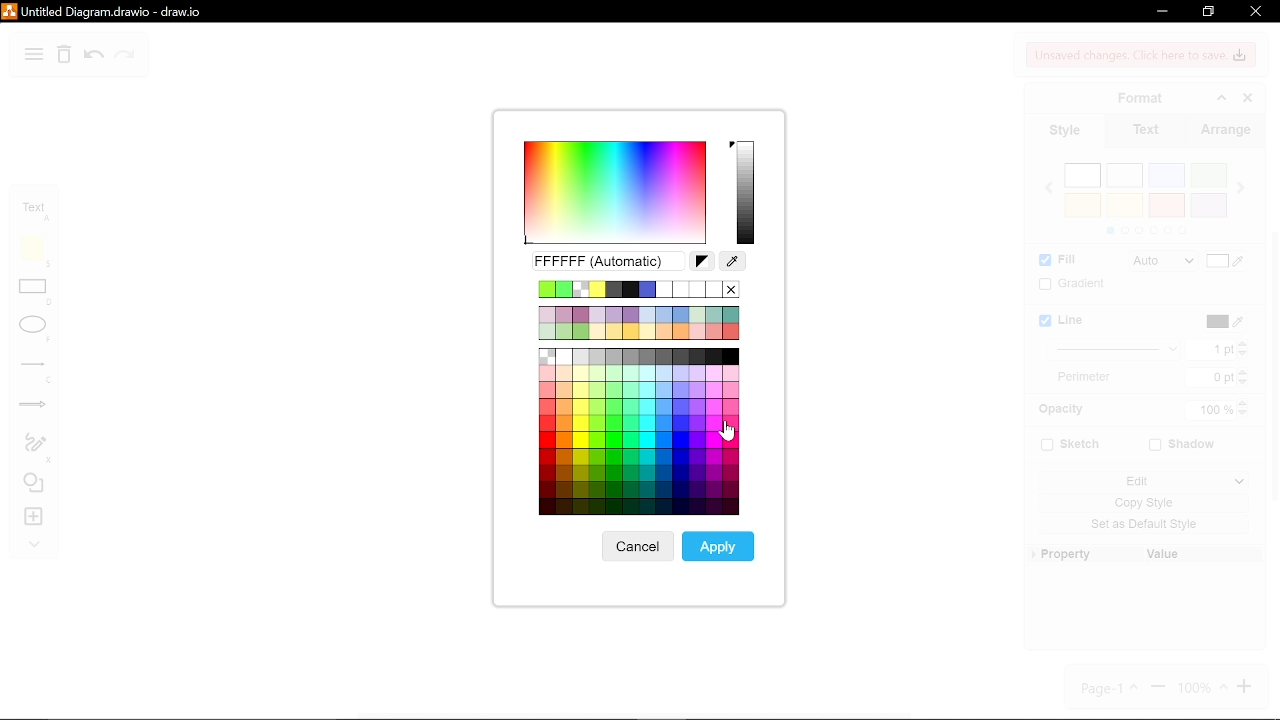 Image resolution: width=1280 pixels, height=720 pixels. I want to click on minimize, so click(1161, 11).